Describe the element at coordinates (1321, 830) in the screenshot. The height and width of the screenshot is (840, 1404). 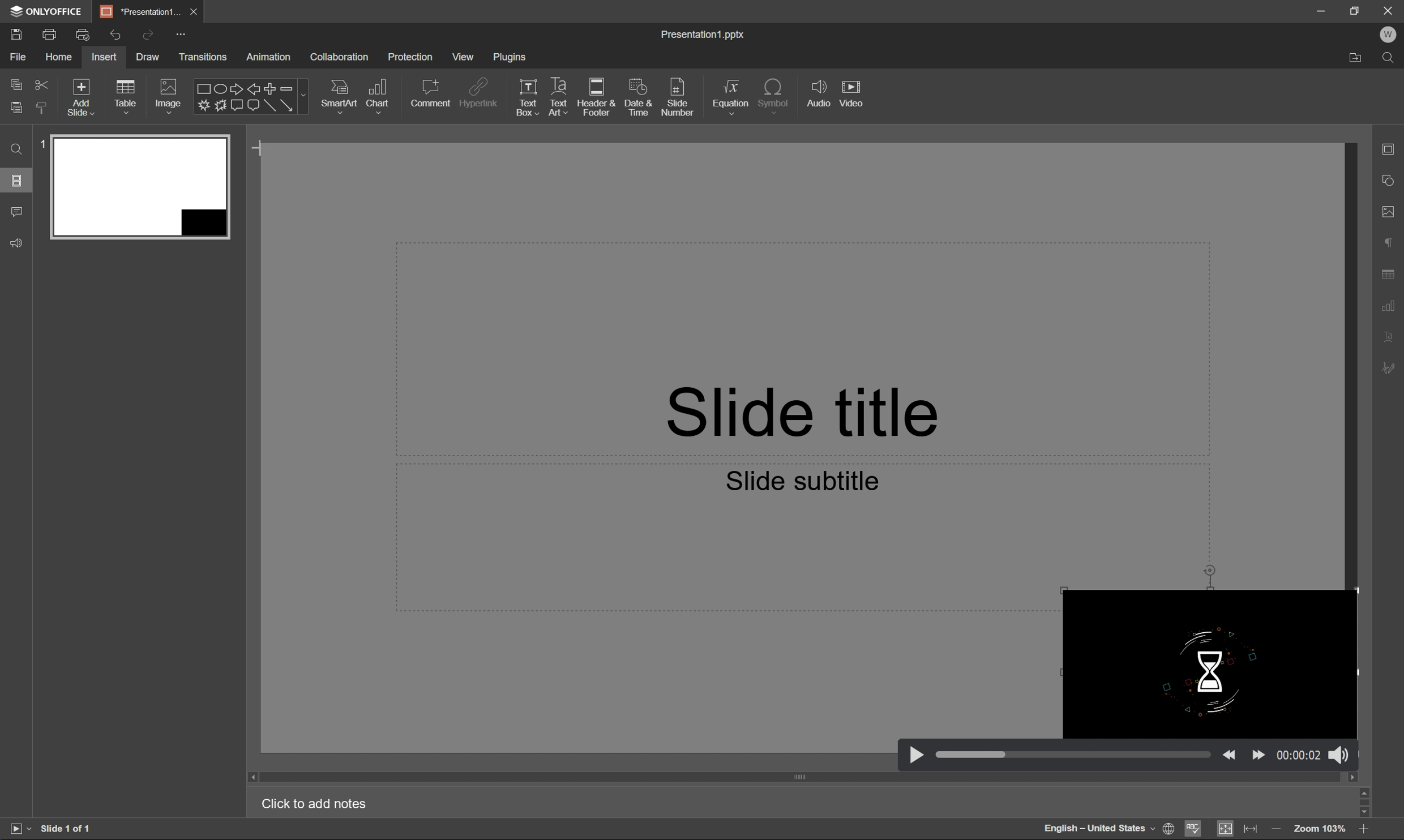
I see `Zoom 103%zoom 103%` at that location.